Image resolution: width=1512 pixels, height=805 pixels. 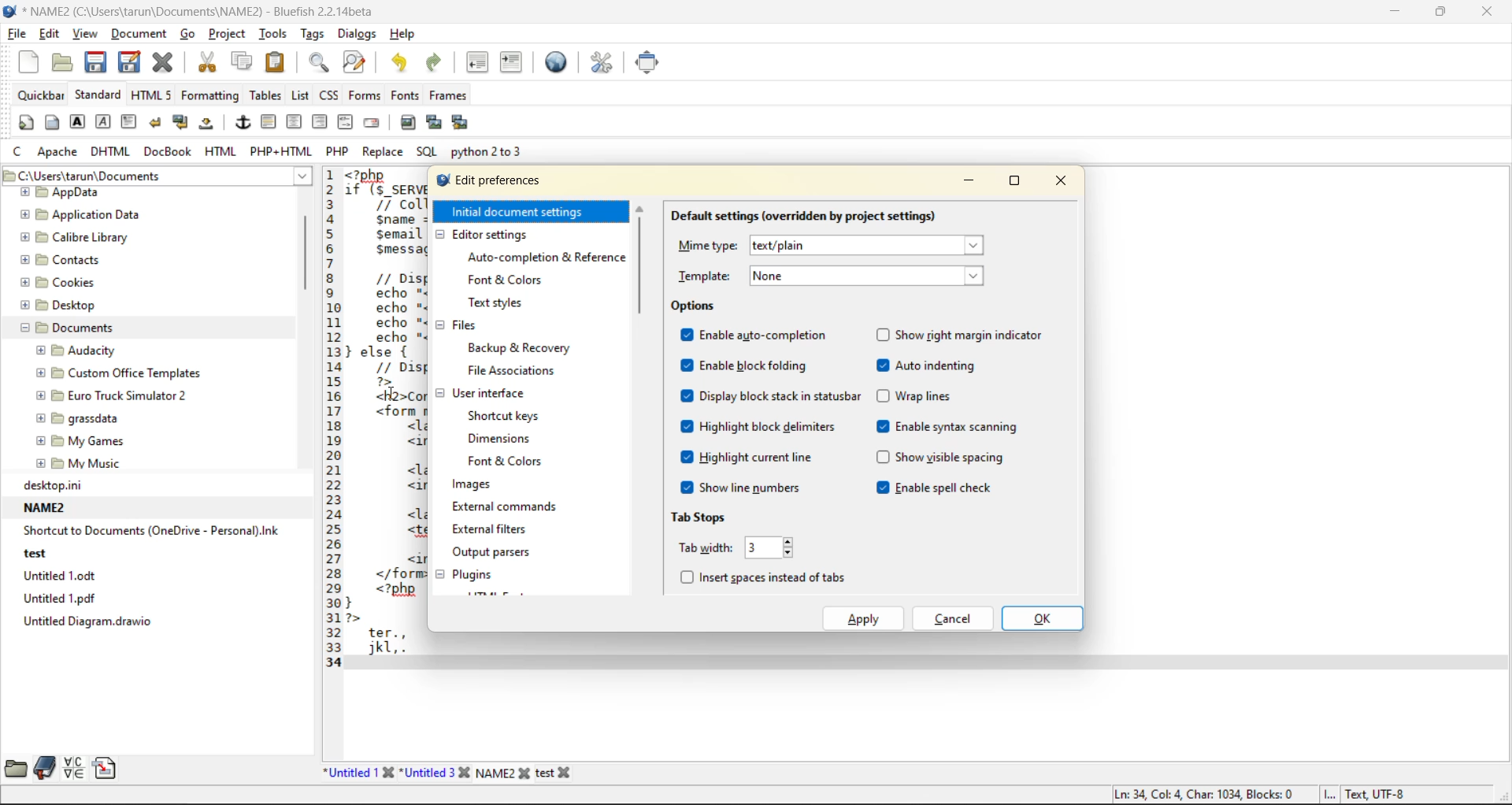 What do you see at coordinates (298, 96) in the screenshot?
I see `list` at bounding box center [298, 96].